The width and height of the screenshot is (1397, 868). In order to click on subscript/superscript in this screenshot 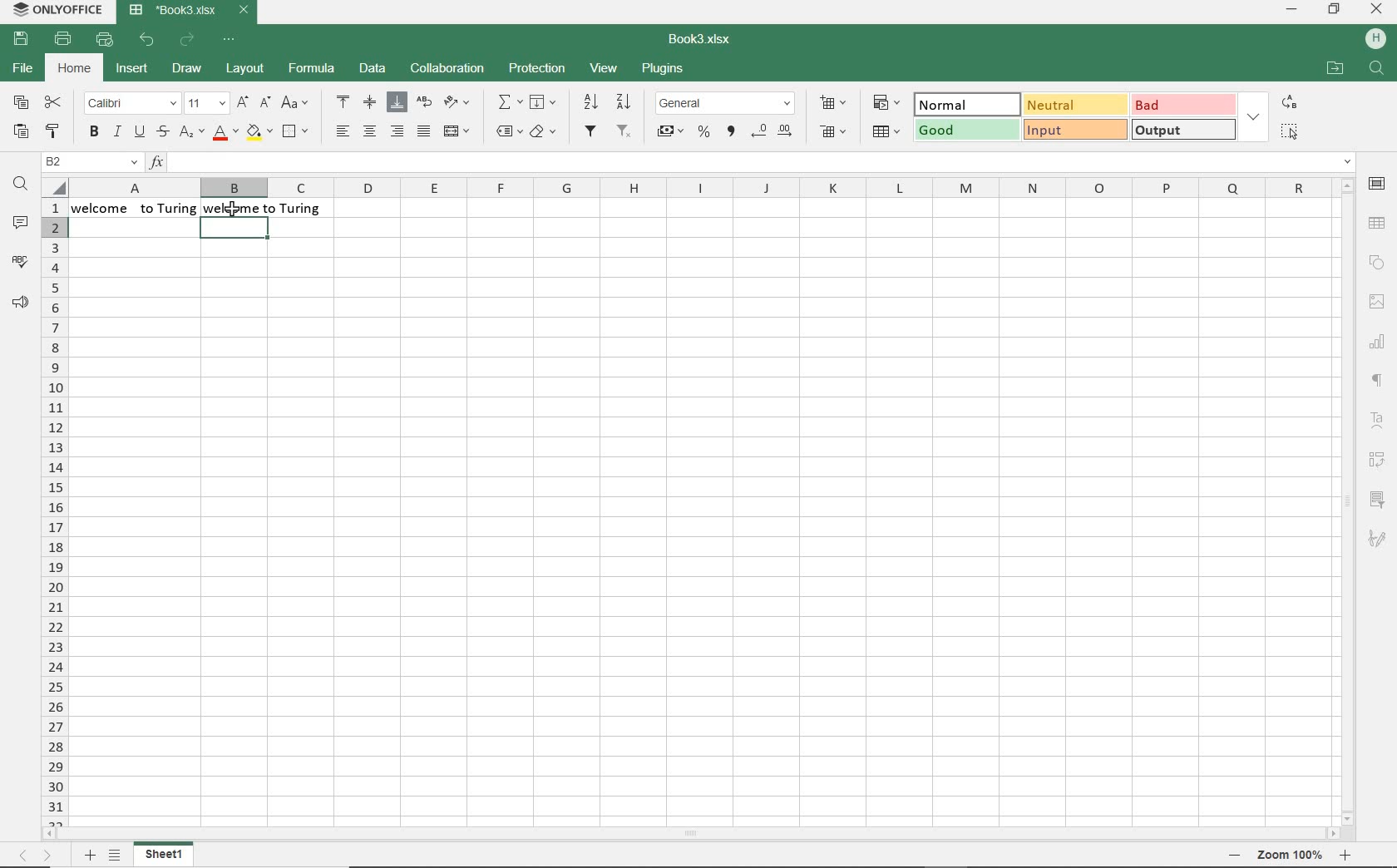, I will do `click(190, 131)`.